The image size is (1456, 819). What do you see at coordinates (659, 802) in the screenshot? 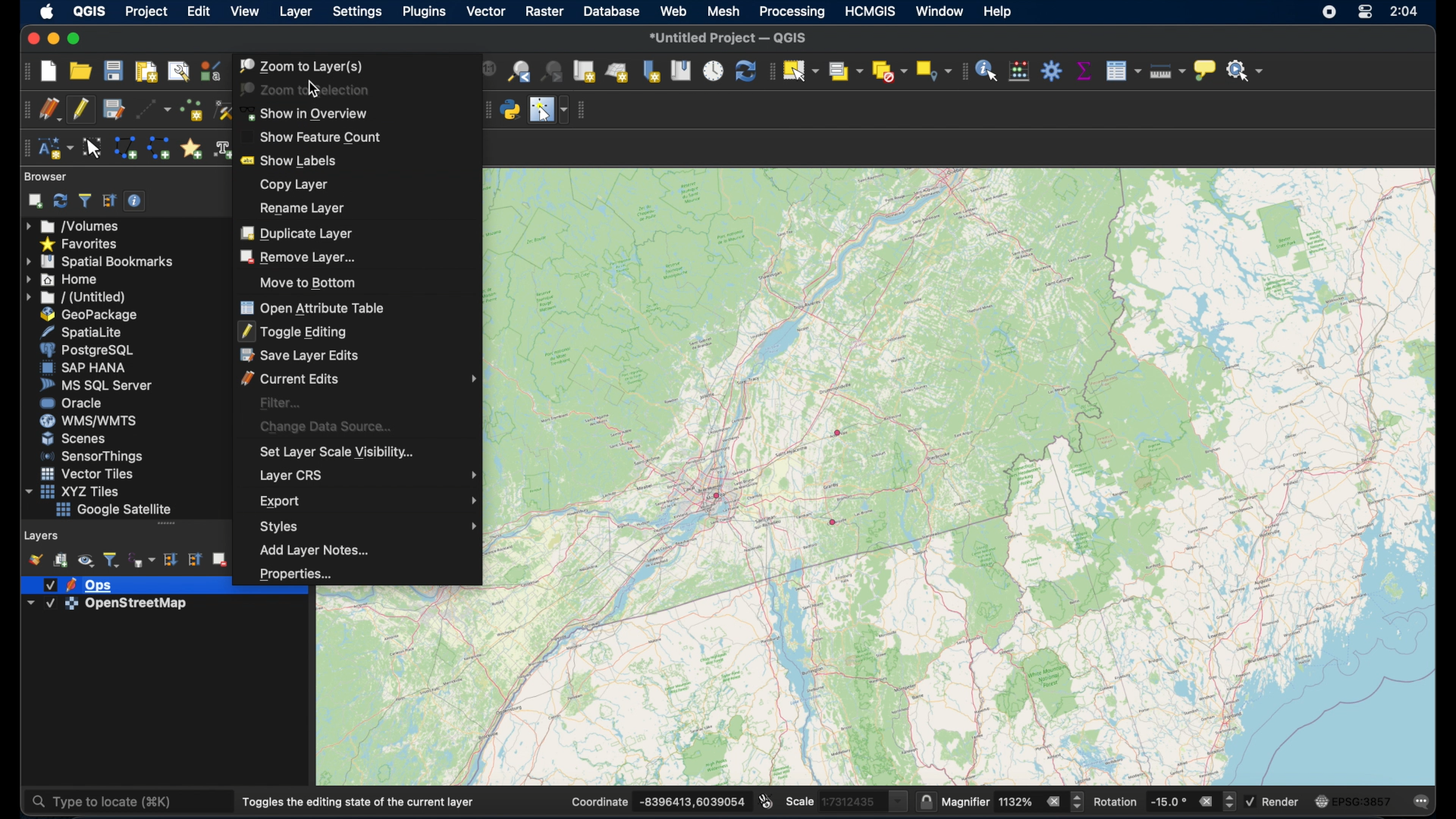
I see `coordinate` at bounding box center [659, 802].